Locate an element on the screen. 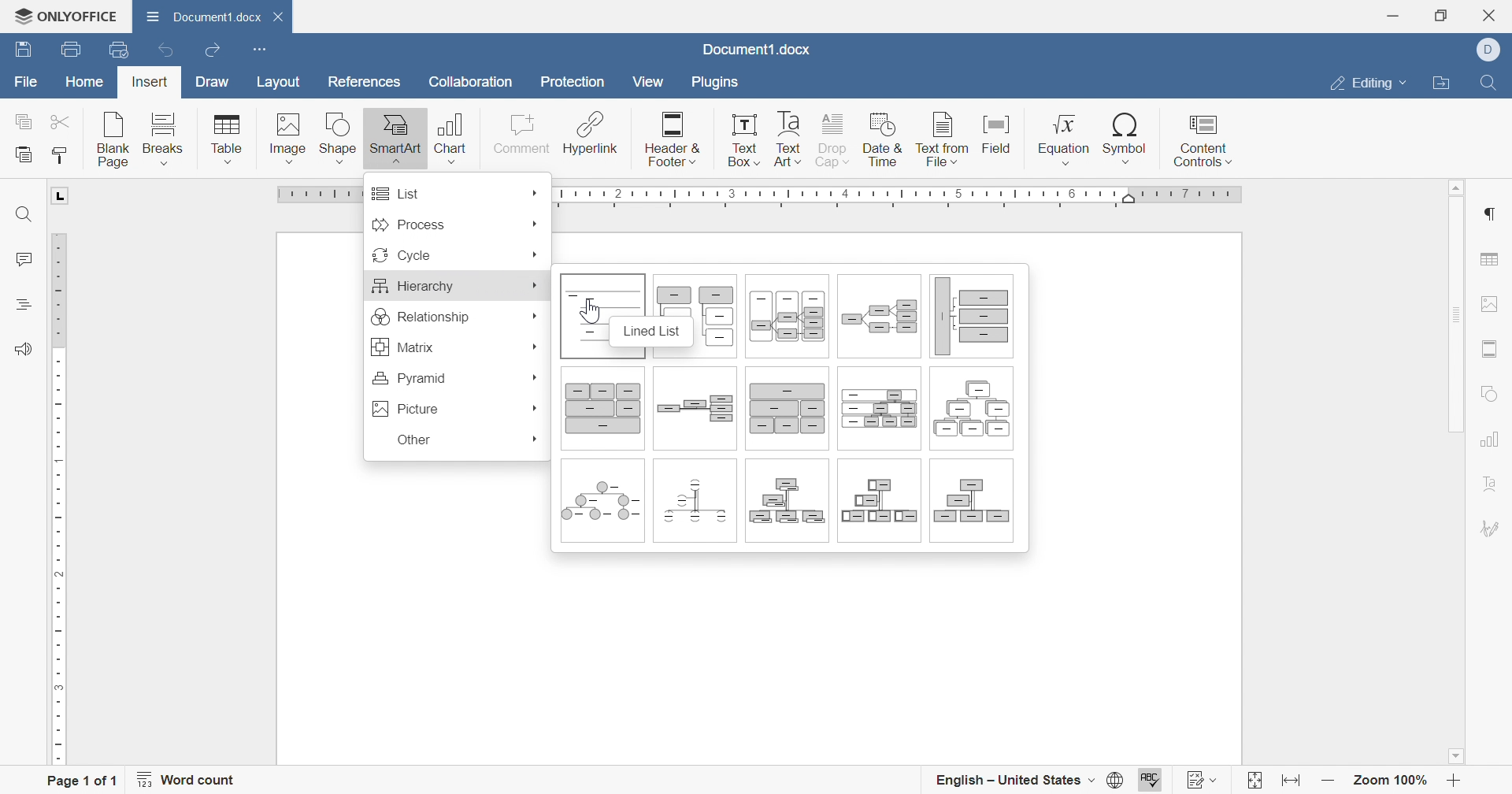 This screenshot has width=1512, height=794. Collaboration is located at coordinates (469, 82).